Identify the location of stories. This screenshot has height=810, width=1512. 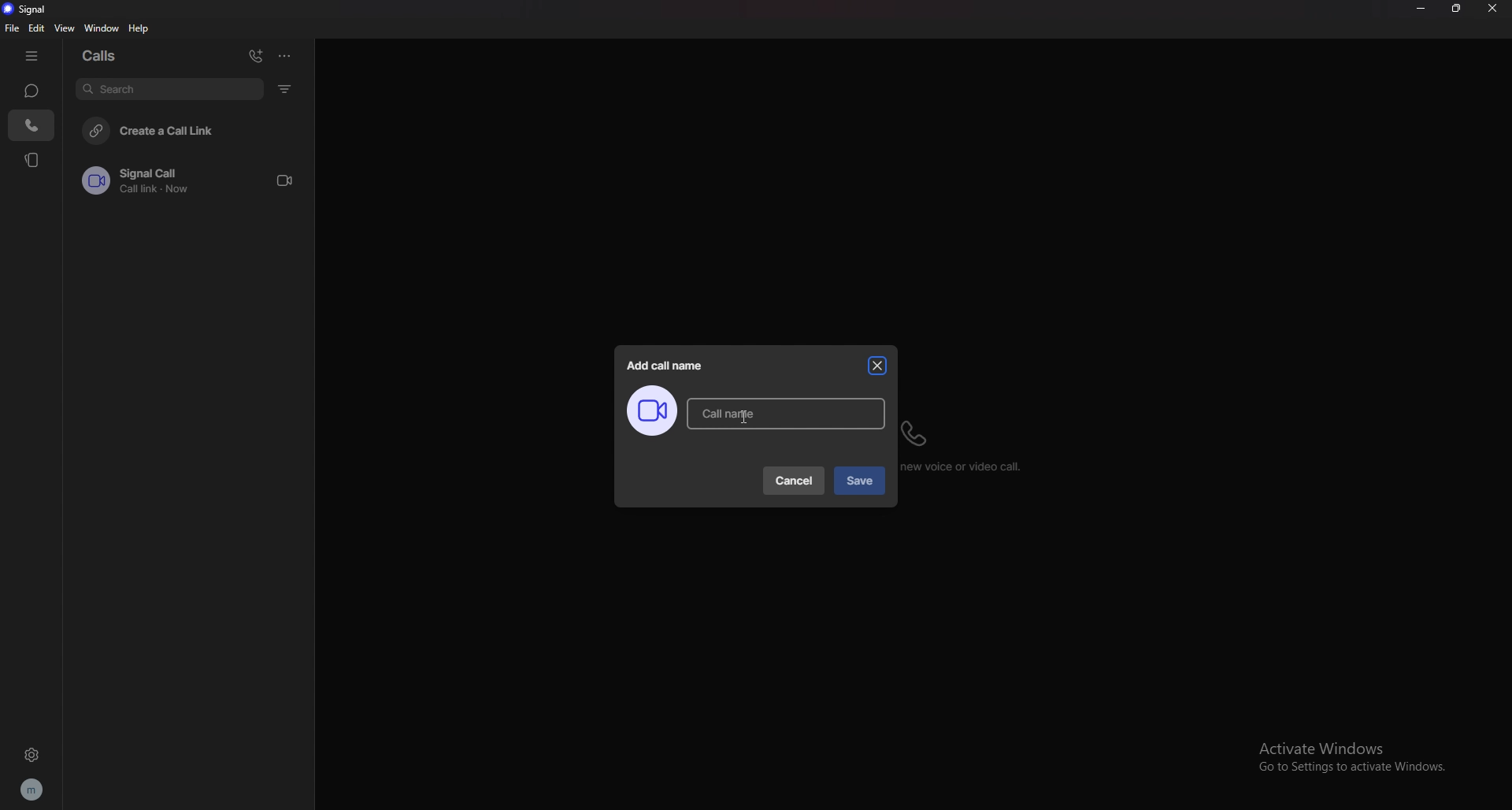
(33, 159).